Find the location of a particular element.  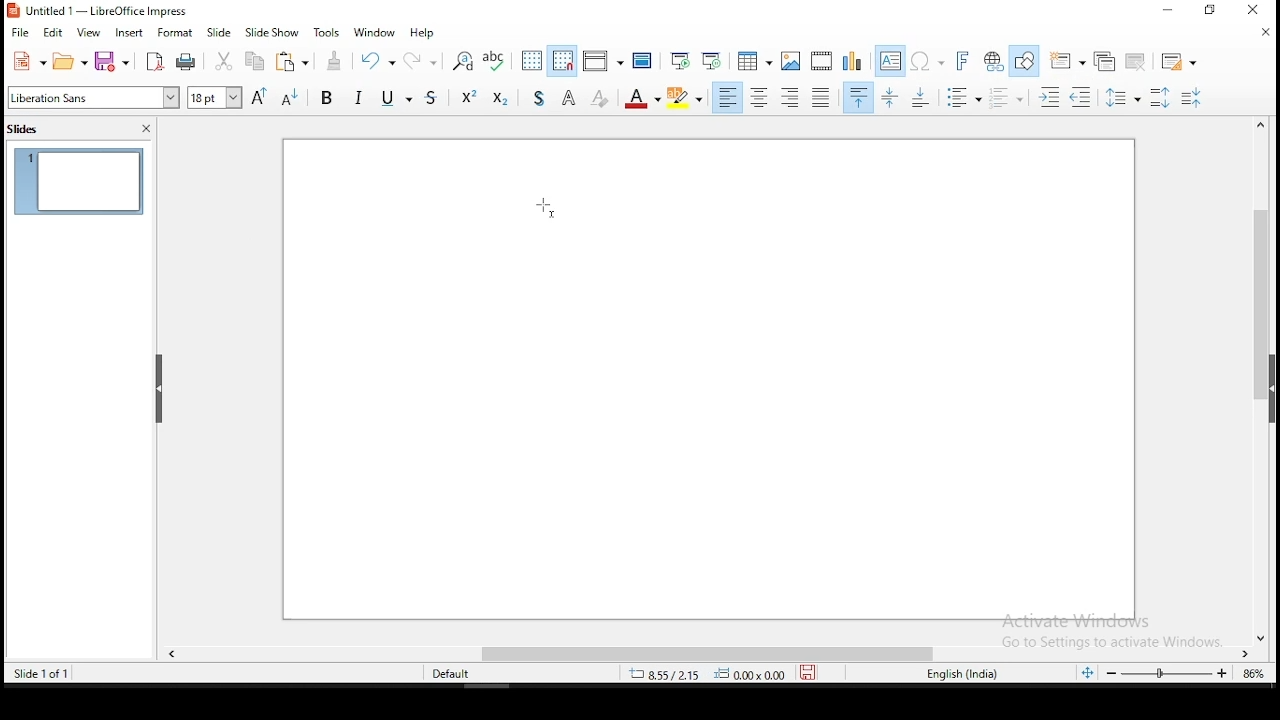

align top is located at coordinates (856, 99).